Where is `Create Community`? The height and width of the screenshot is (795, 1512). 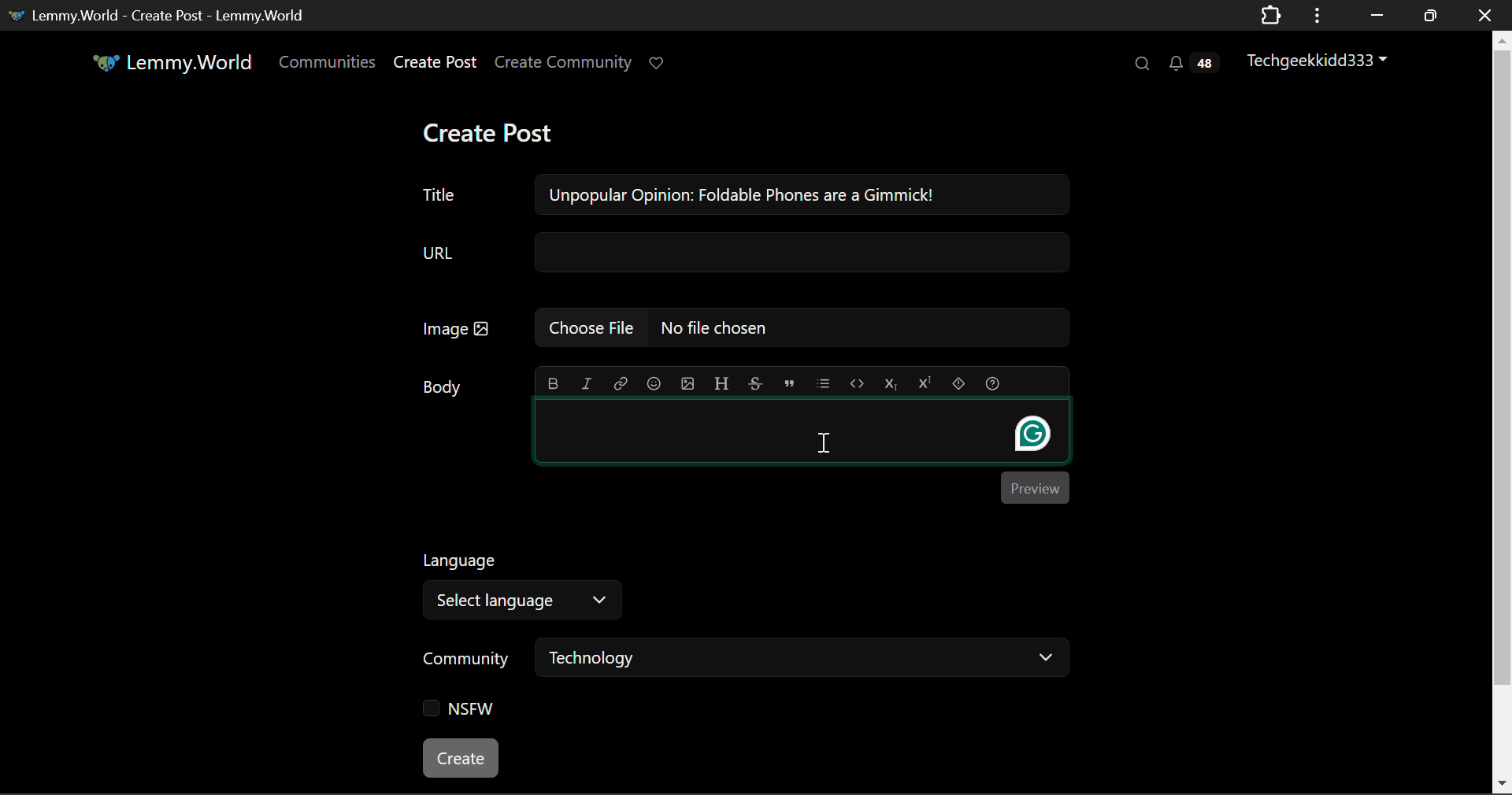
Create Community is located at coordinates (563, 65).